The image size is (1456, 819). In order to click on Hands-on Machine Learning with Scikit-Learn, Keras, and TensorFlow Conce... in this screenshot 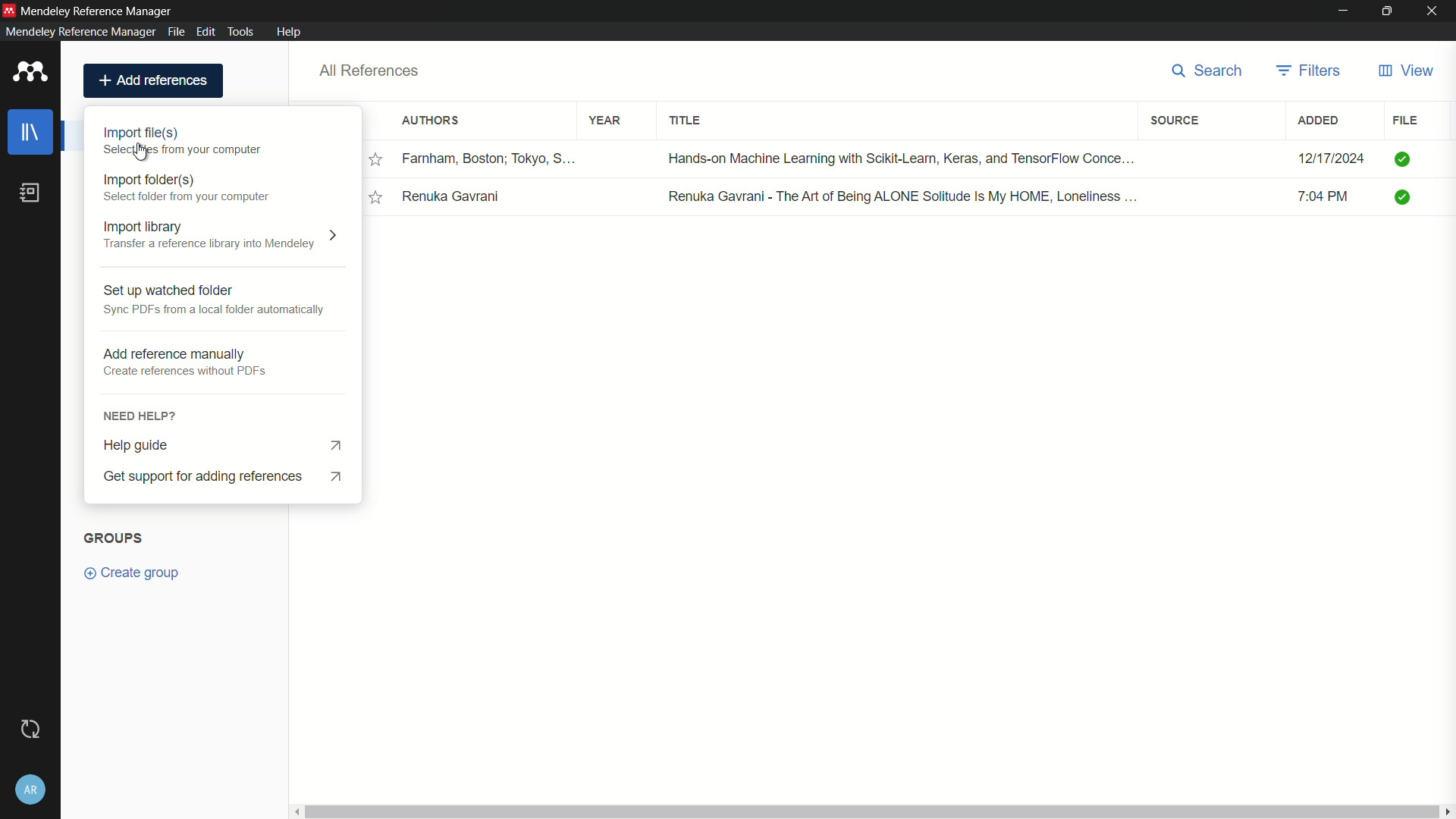, I will do `click(904, 157)`.